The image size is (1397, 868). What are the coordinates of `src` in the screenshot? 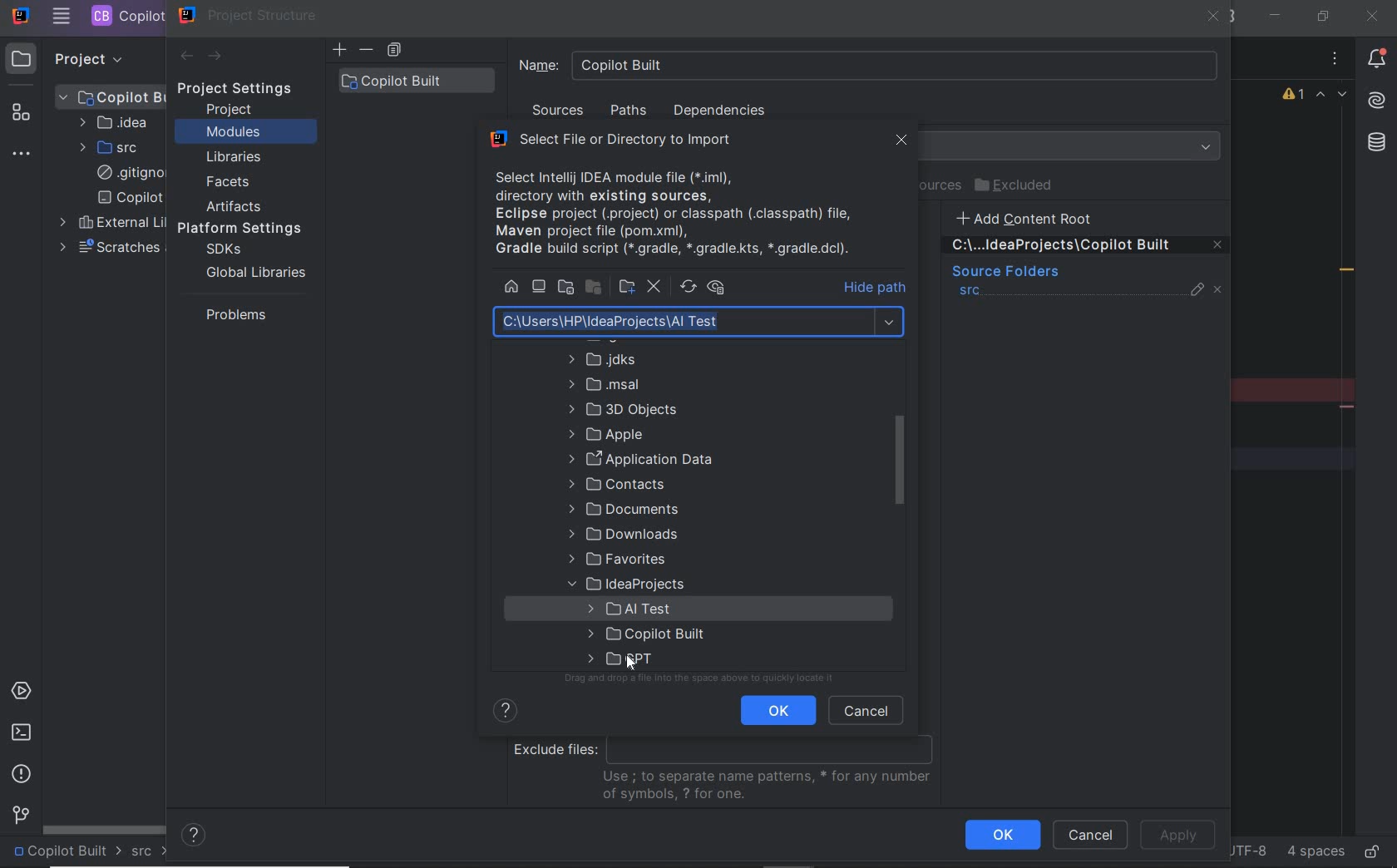 It's located at (970, 293).